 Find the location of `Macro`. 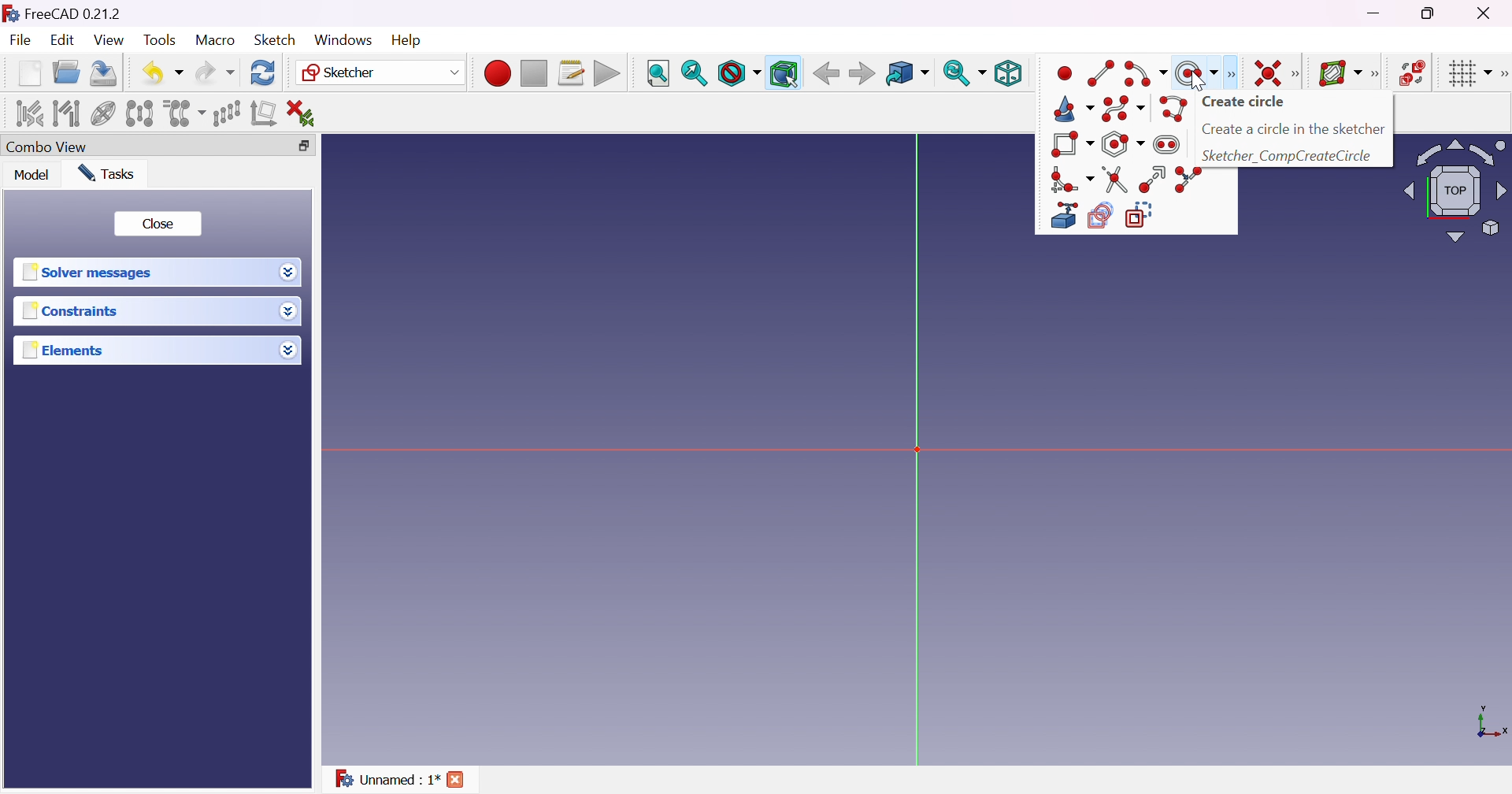

Macro is located at coordinates (216, 40).